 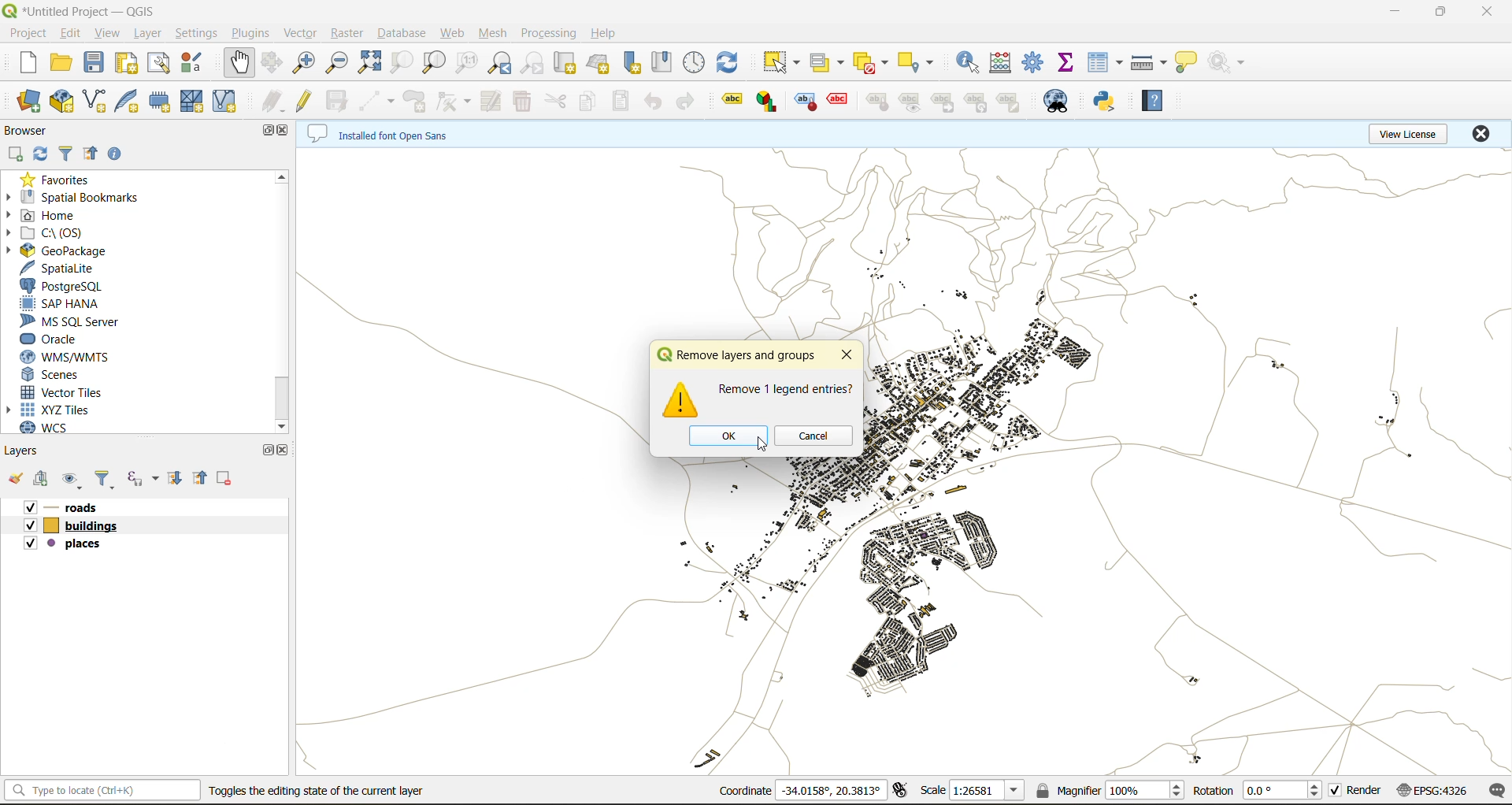 What do you see at coordinates (921, 64) in the screenshot?
I see `select location` at bounding box center [921, 64].